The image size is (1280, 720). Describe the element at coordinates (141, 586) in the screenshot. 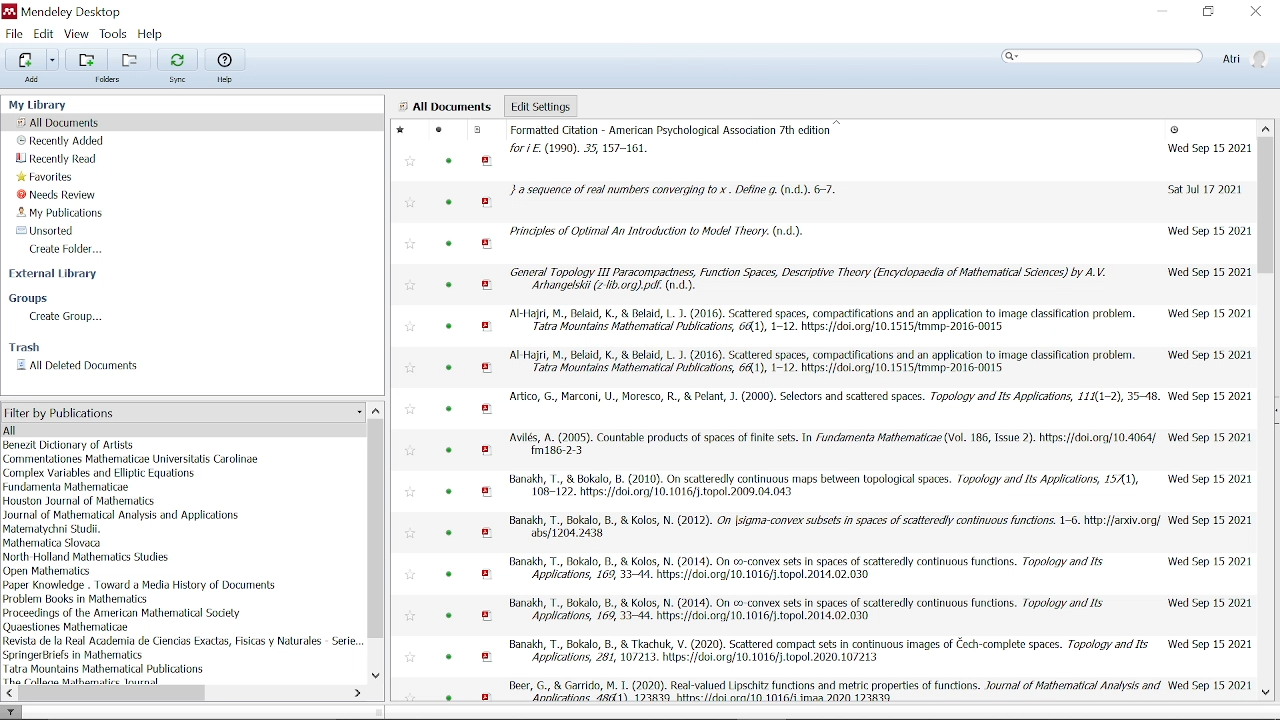

I see `author` at that location.